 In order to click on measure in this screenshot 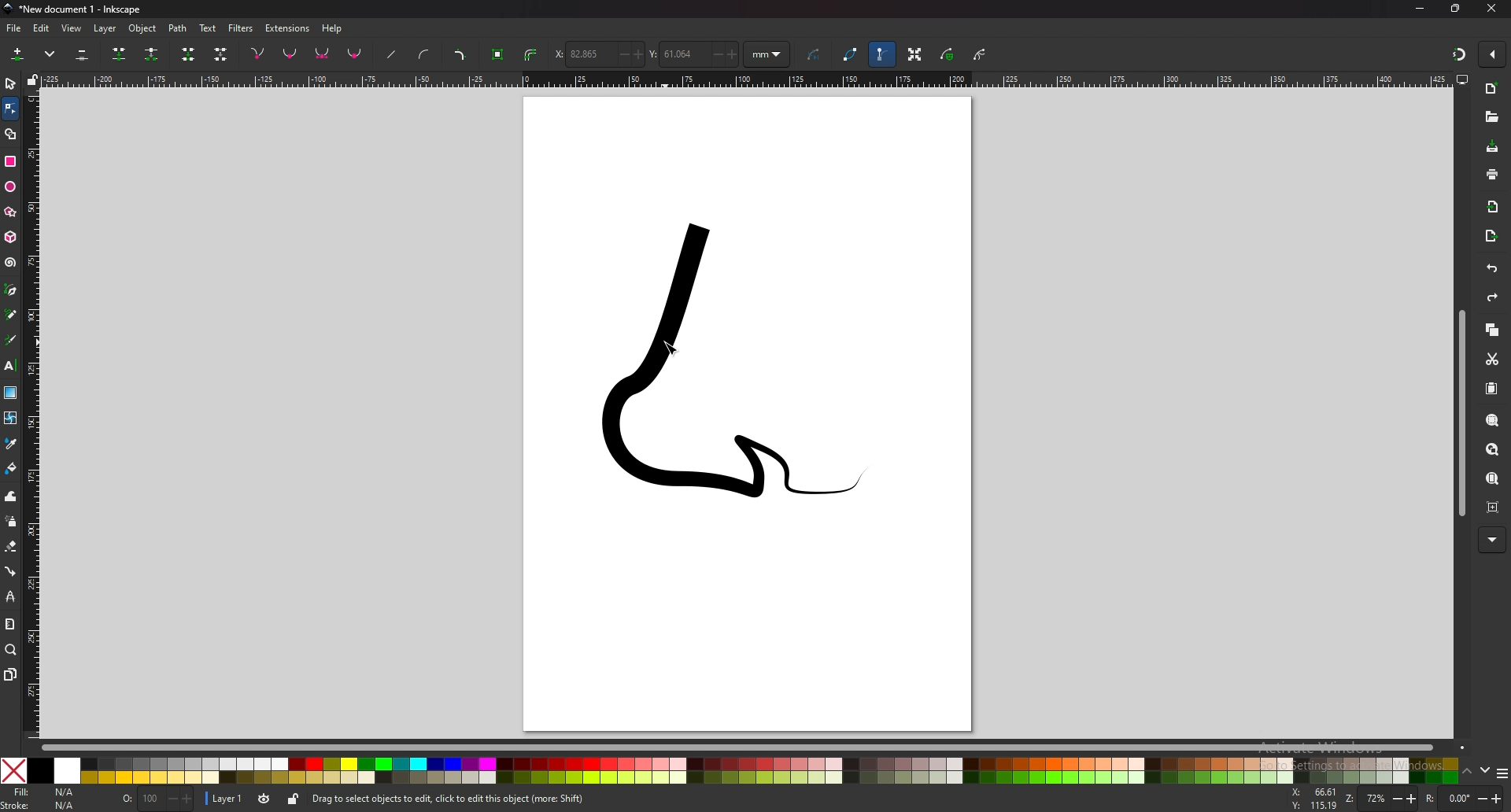, I will do `click(10, 625)`.